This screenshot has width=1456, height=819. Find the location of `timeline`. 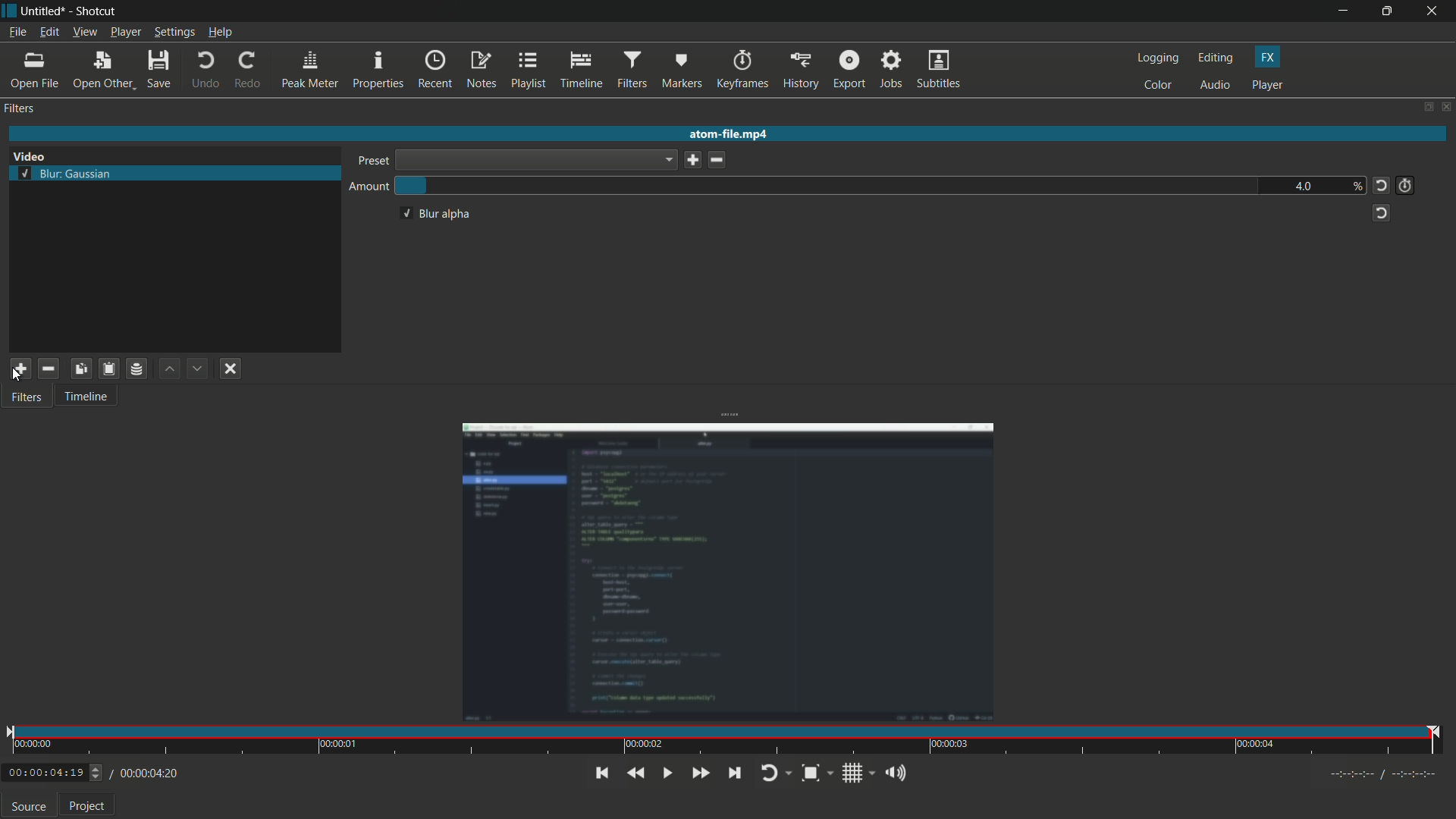

timeline is located at coordinates (85, 398).